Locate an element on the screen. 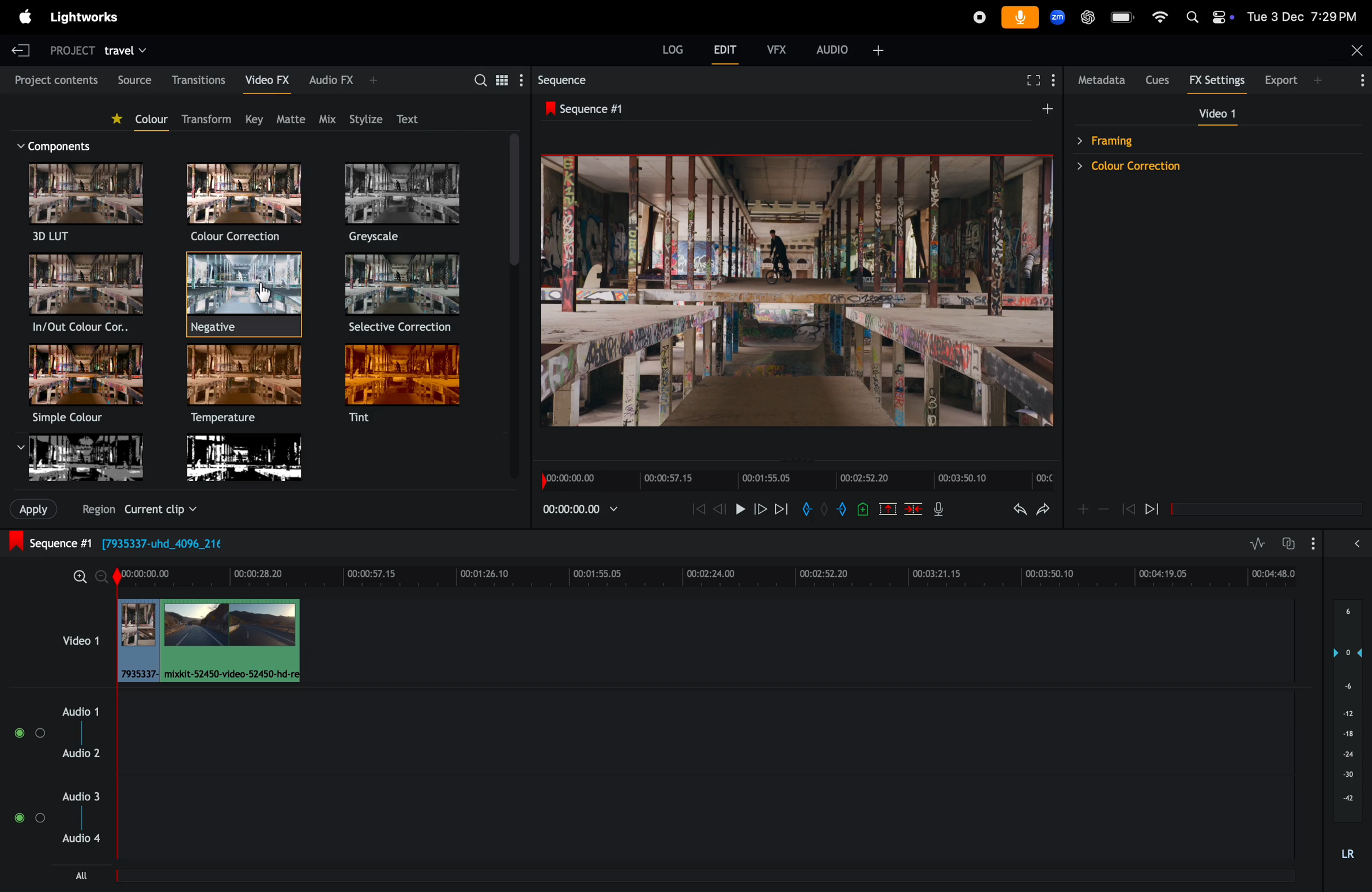  Light works menu is located at coordinates (89, 17).